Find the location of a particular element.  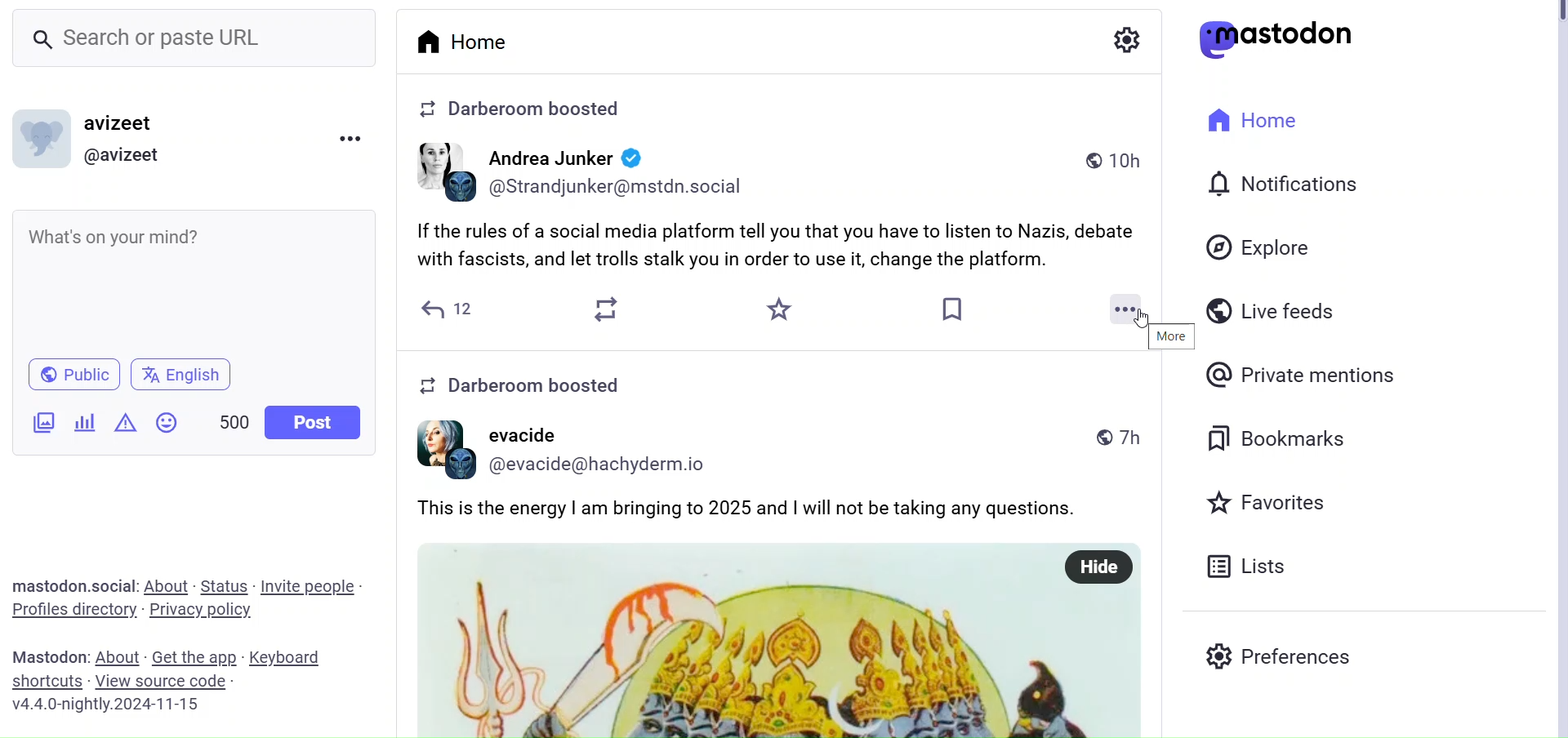

Reply is located at coordinates (457, 311).